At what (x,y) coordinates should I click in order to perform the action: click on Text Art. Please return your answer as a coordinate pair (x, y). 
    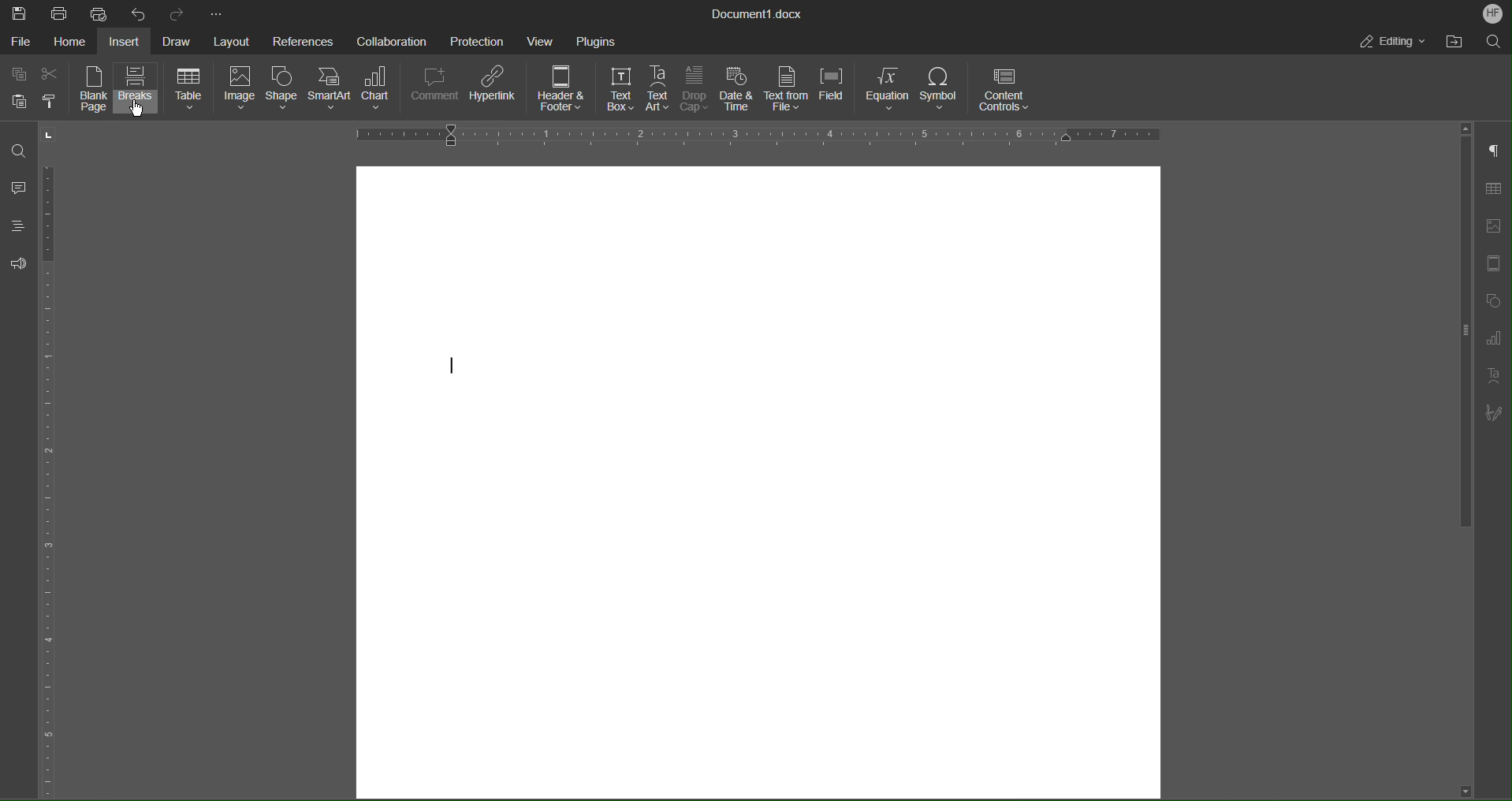
    Looking at the image, I should click on (1493, 378).